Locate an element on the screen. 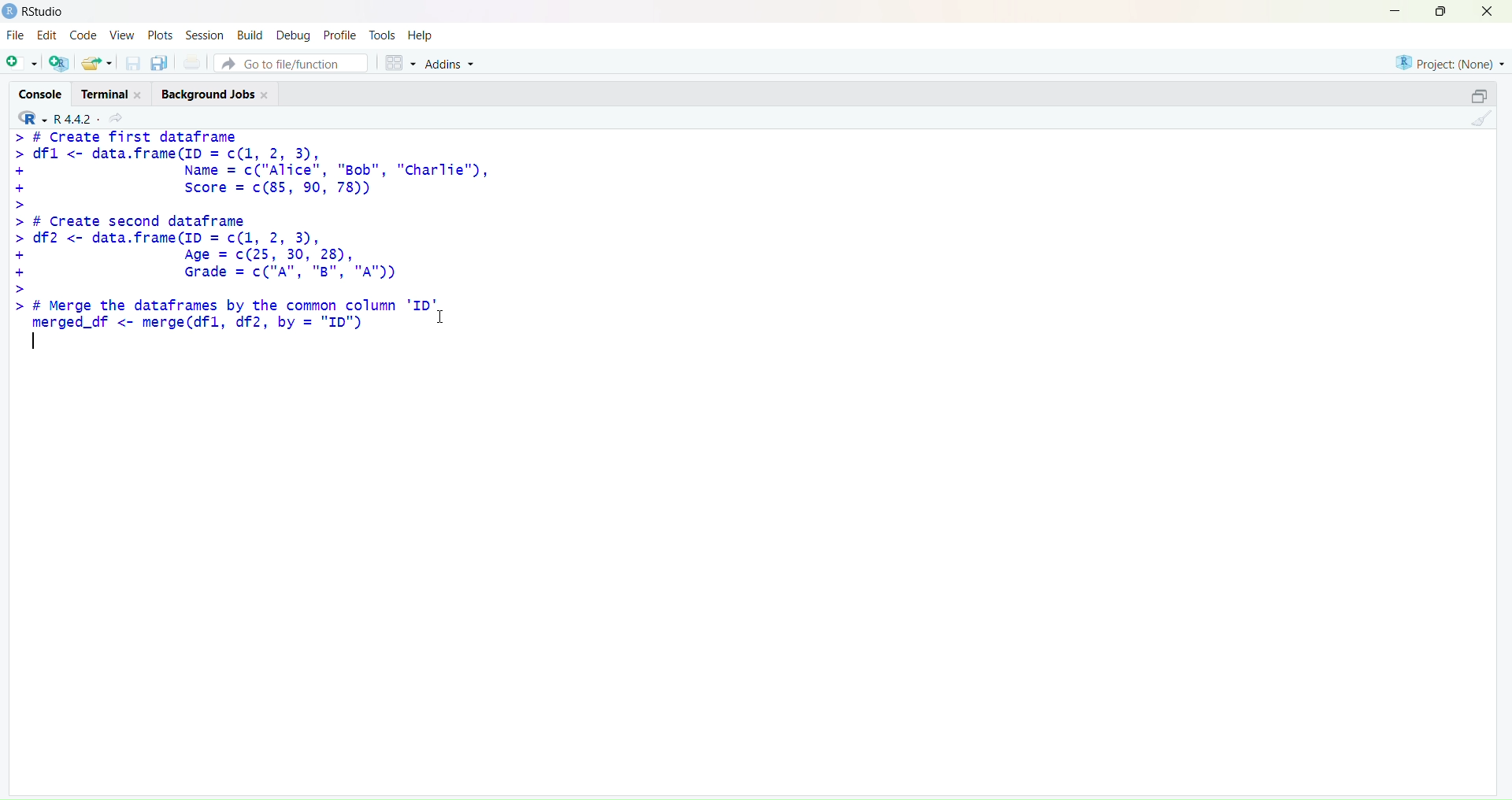 Image resolution: width=1512 pixels, height=800 pixels. # Create Tirst dataframe
dfl <- data.frame(ID = c(1, 2, 3),
Name = c("Alice", "Bob", "Char
Score = c(85, 90, 78))
# Create second dataframe
df2 <- data.frame(ID = c(1, 2, 3),
Age = c(25, 30, 28),
Grade = c("A", "B", "A")) is located at coordinates (251, 213).